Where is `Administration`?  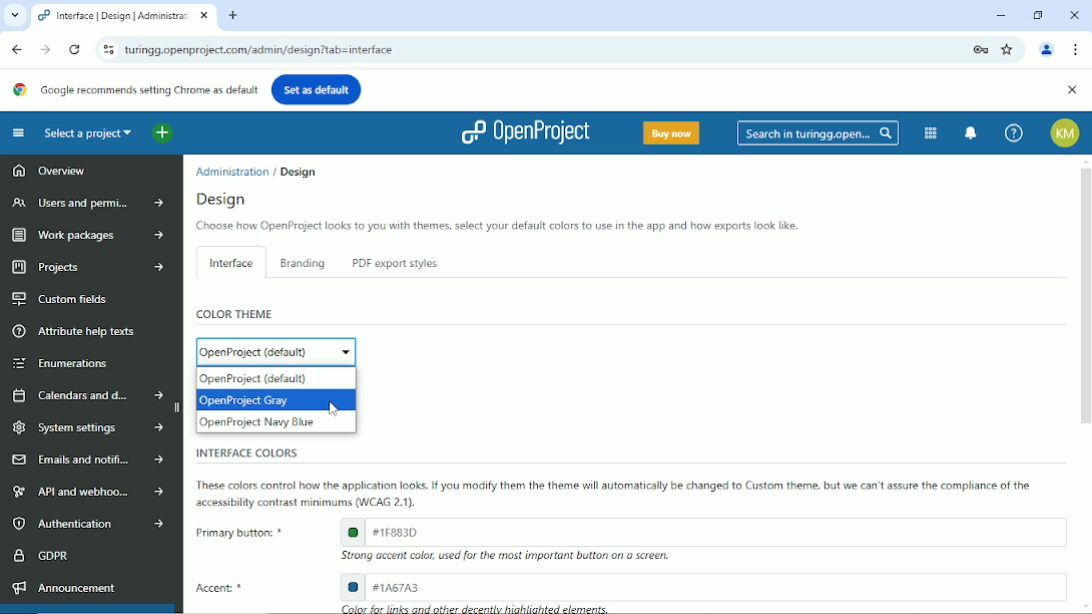
Administration is located at coordinates (233, 170).